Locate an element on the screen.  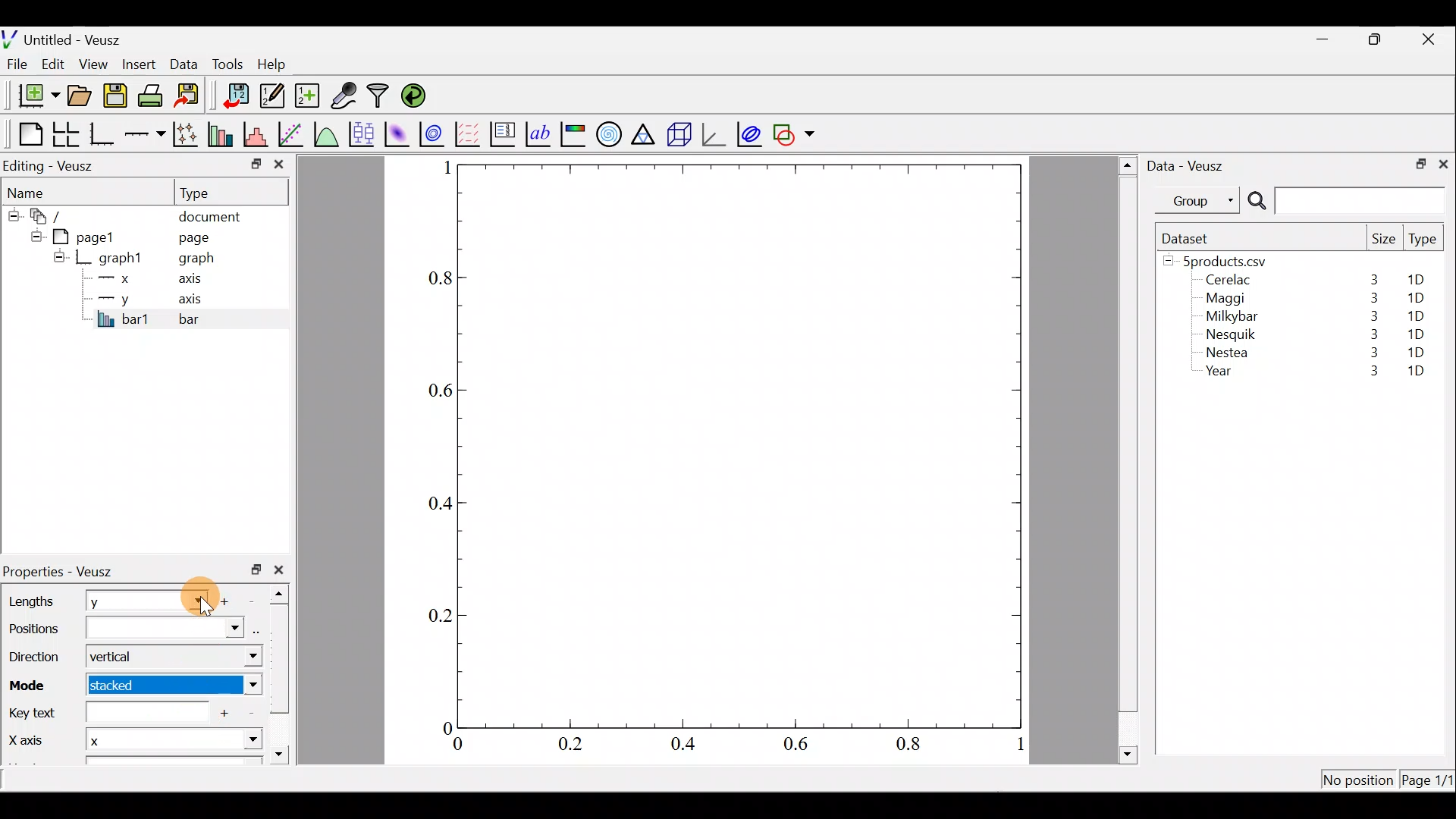
Fit a function to data is located at coordinates (292, 133).